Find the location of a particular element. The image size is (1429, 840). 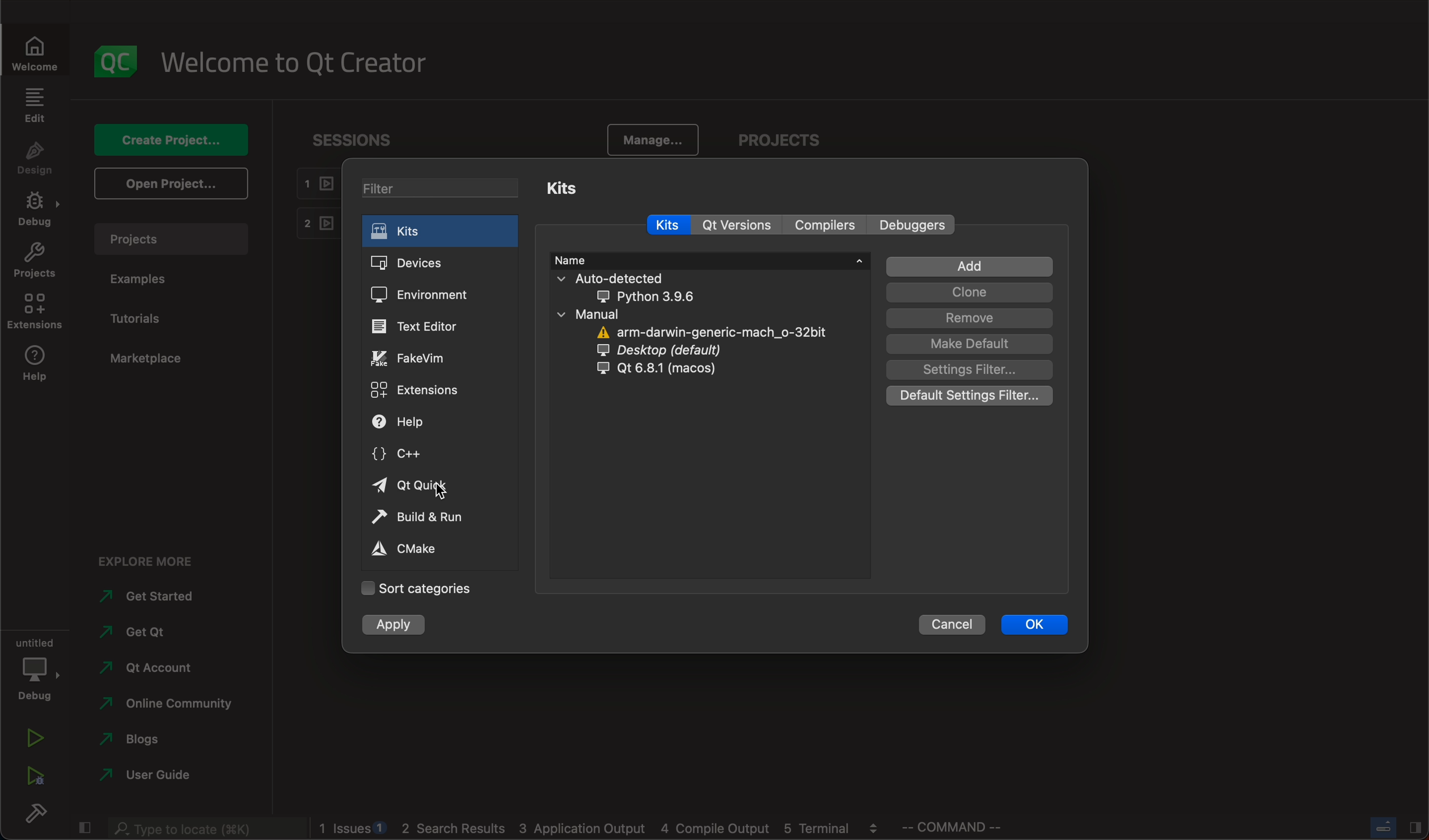

auto detected is located at coordinates (633, 289).